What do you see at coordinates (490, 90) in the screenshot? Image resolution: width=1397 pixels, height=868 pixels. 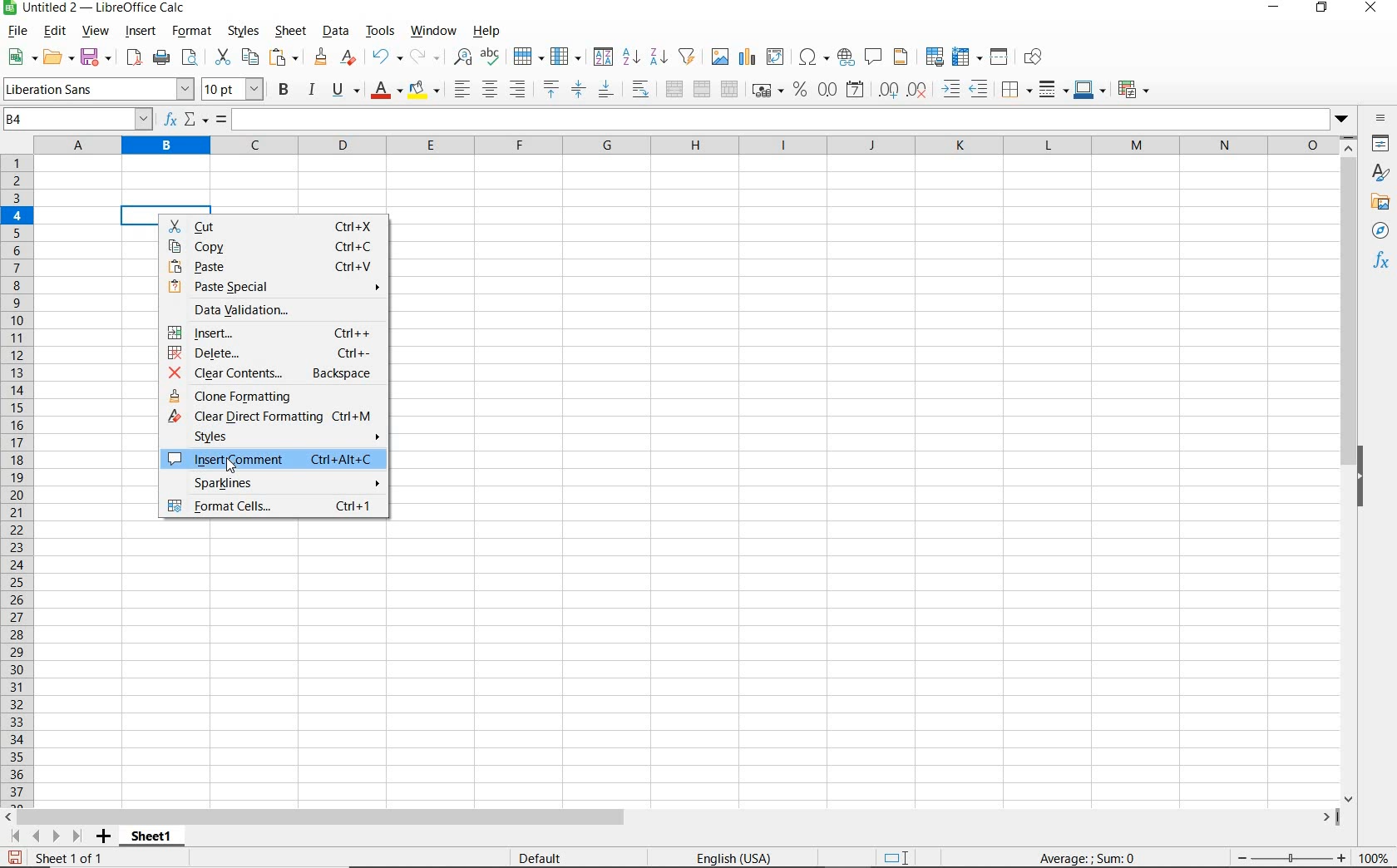 I see `align center` at bounding box center [490, 90].